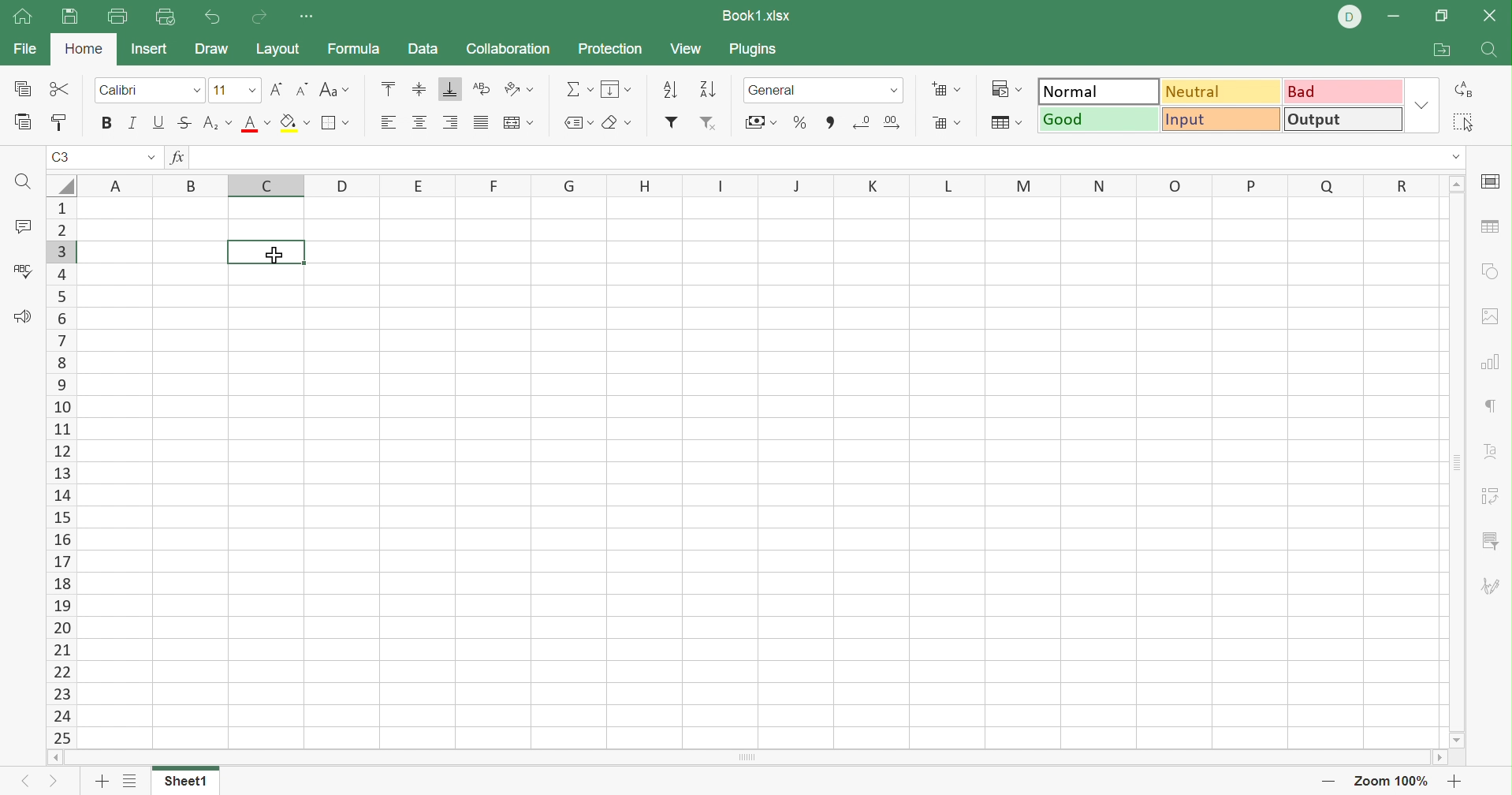  I want to click on C3, so click(60, 156).